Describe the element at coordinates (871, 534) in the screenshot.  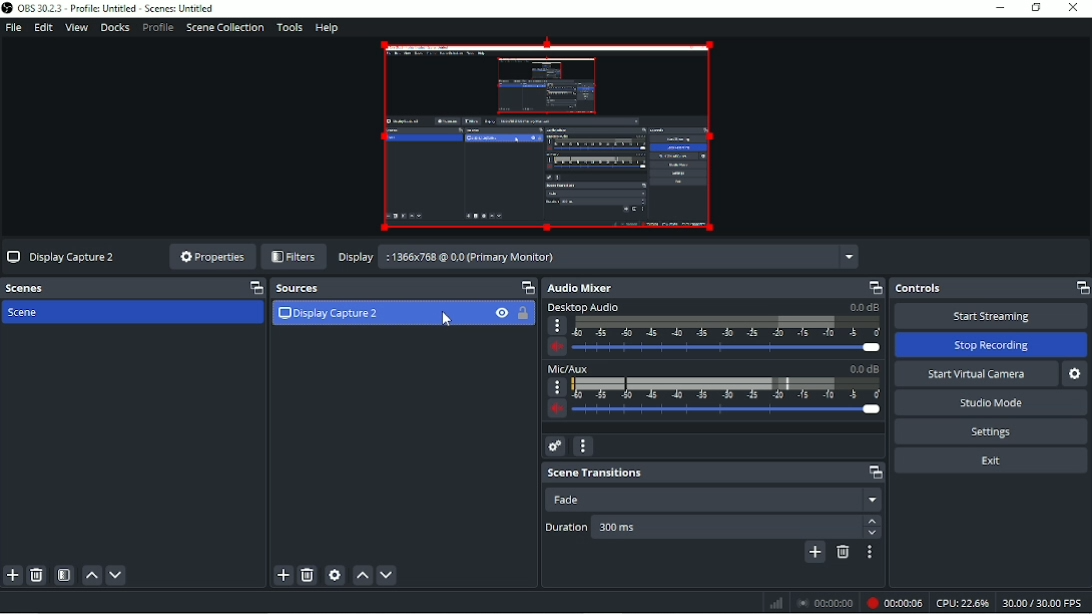
I see `down arrow` at that location.